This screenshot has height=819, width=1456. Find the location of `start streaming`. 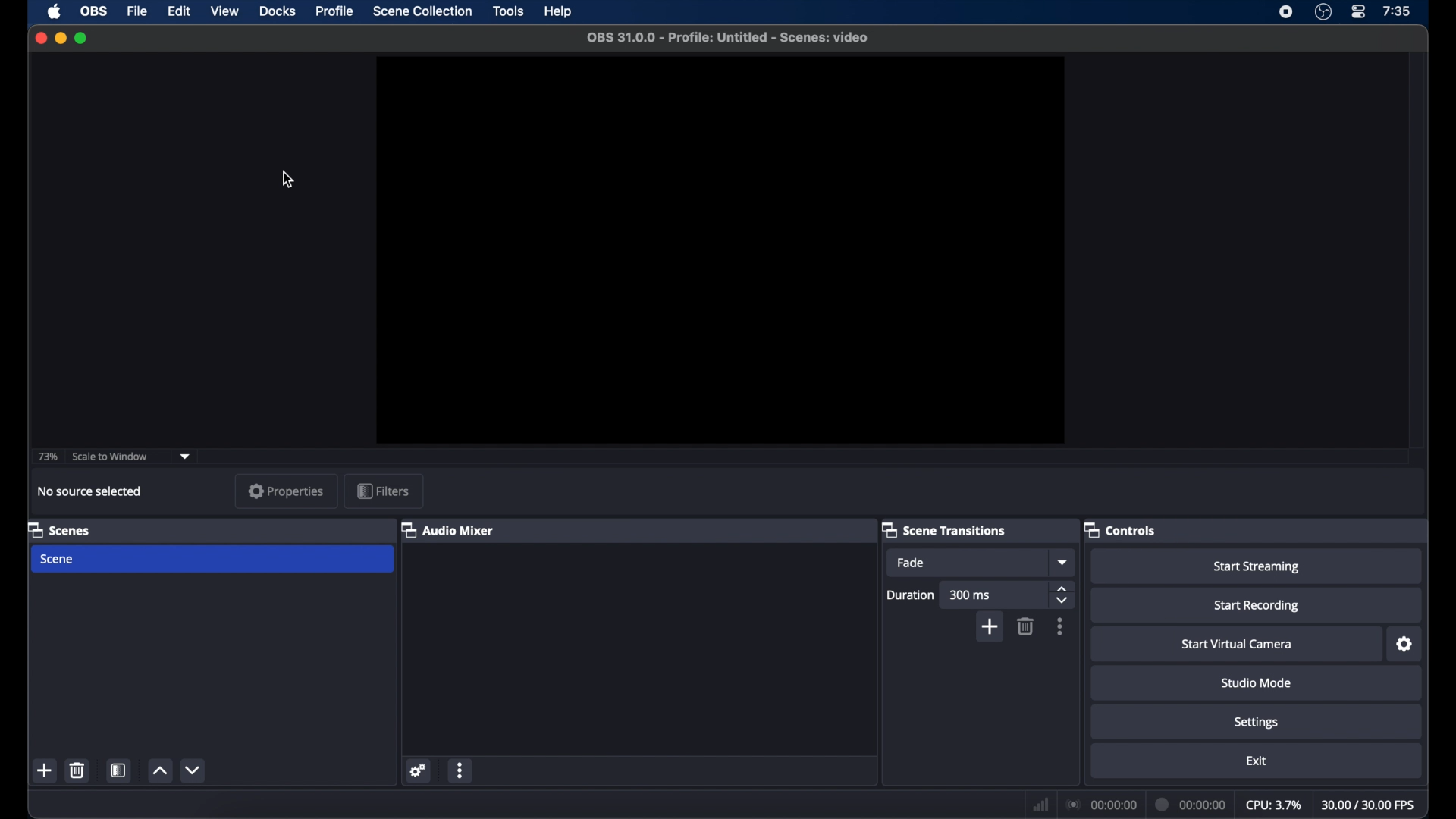

start streaming is located at coordinates (1256, 566).